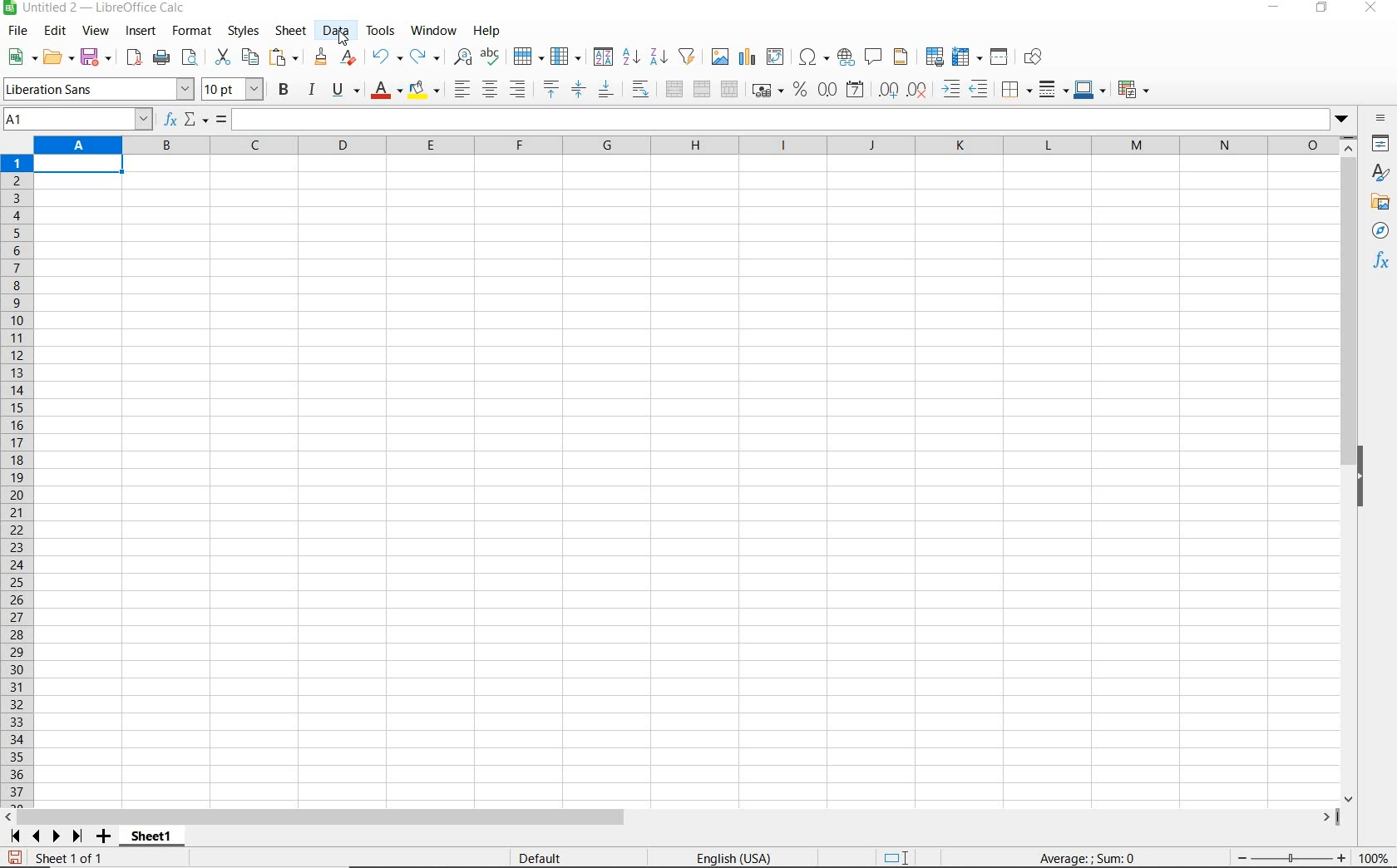  Describe the element at coordinates (57, 57) in the screenshot. I see `open` at that location.